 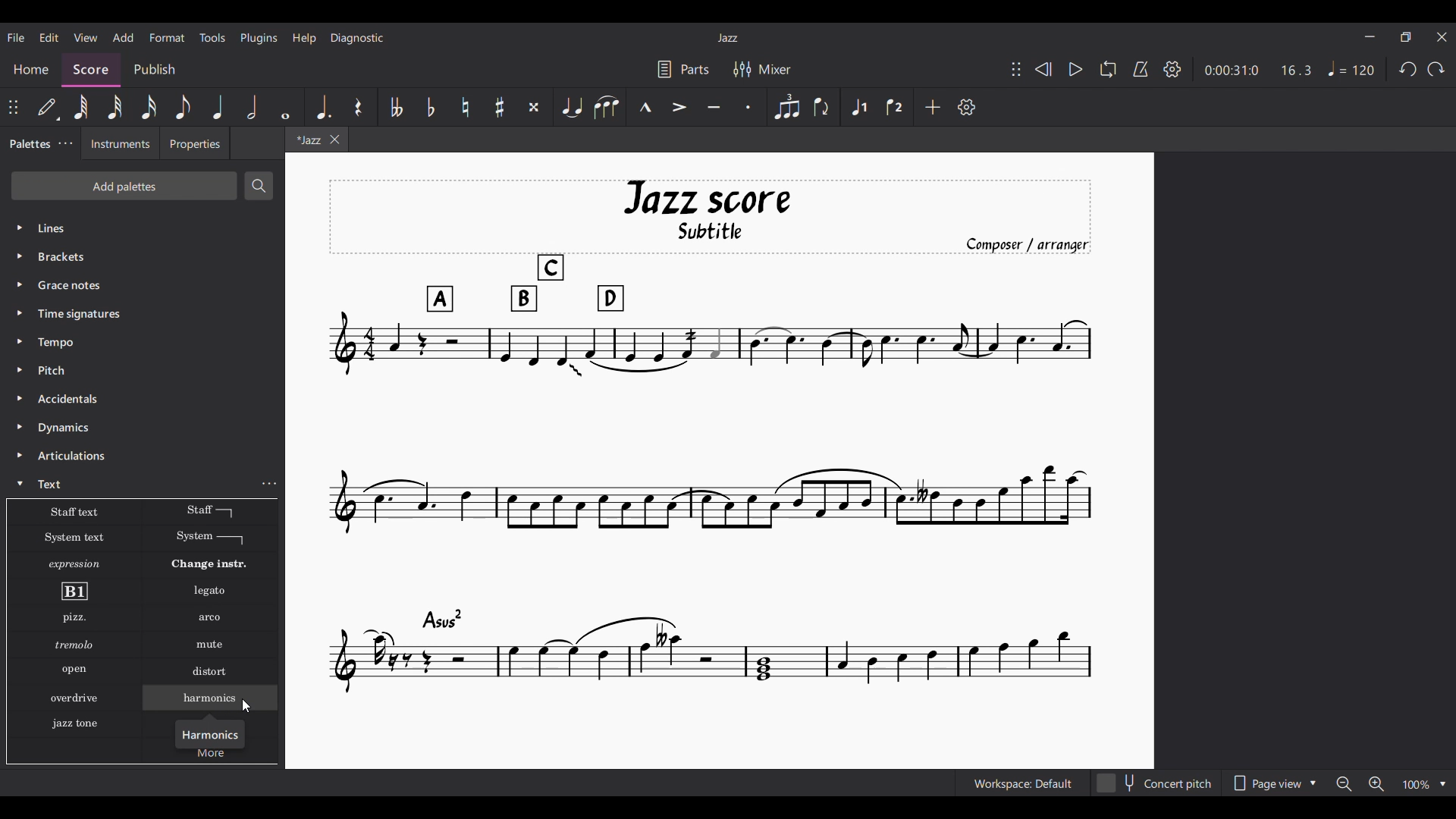 What do you see at coordinates (304, 39) in the screenshot?
I see `Help menu` at bounding box center [304, 39].